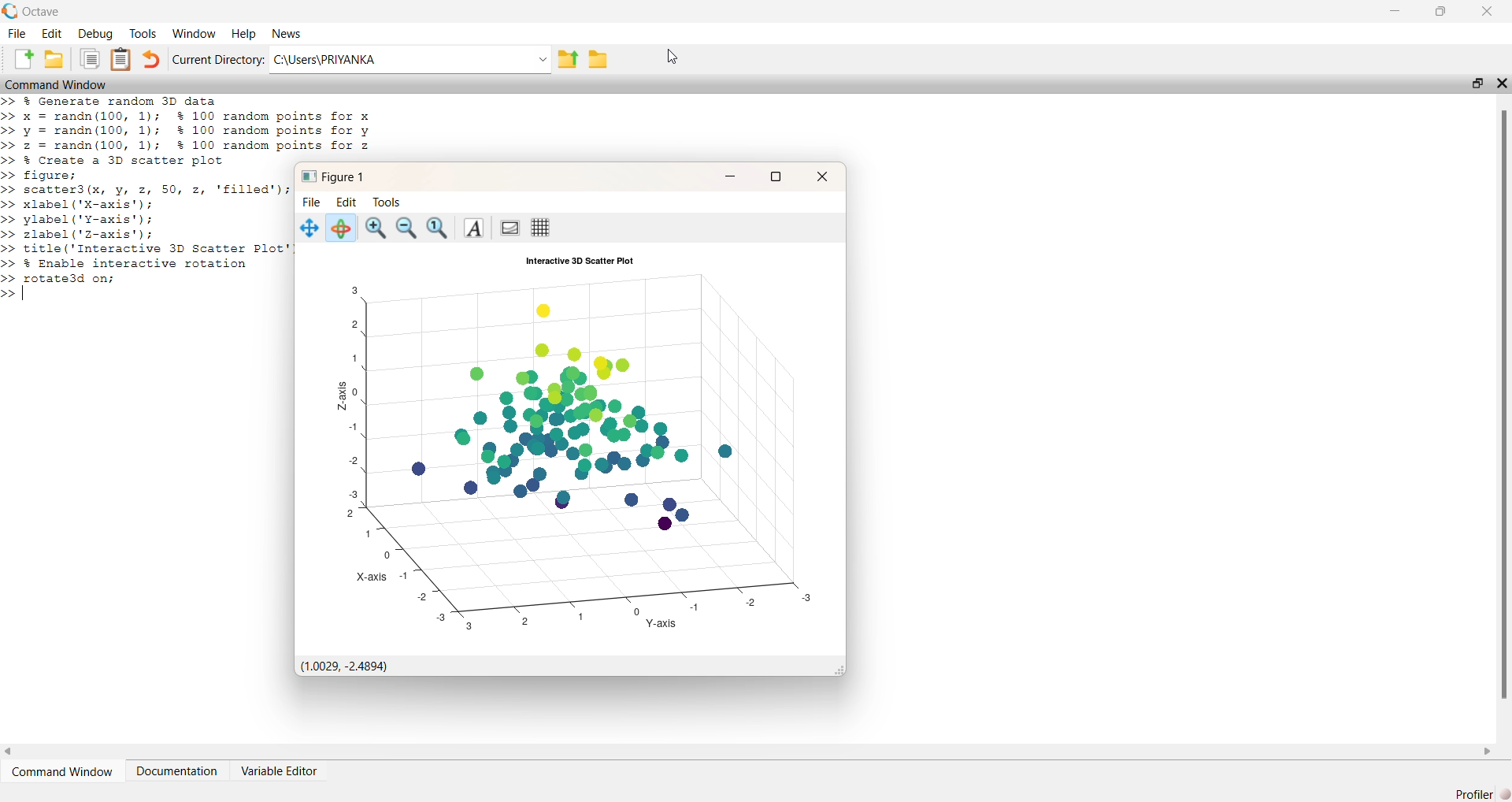  What do you see at coordinates (287, 34) in the screenshot?
I see `News` at bounding box center [287, 34].